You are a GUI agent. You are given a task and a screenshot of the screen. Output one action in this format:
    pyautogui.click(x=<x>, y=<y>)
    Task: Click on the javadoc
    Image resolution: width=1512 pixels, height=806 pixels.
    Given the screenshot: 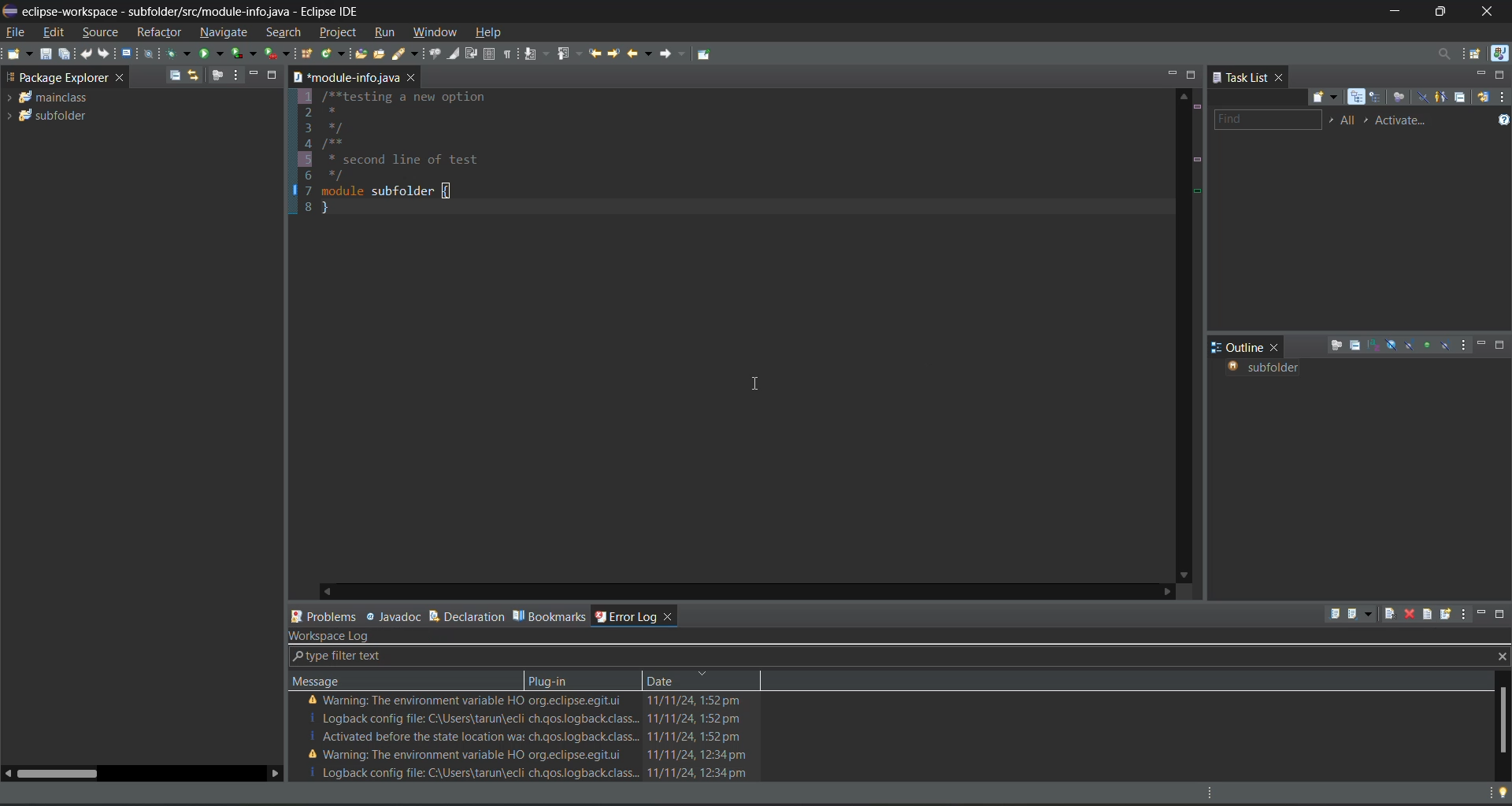 What is the action you would take?
    pyautogui.click(x=407, y=616)
    